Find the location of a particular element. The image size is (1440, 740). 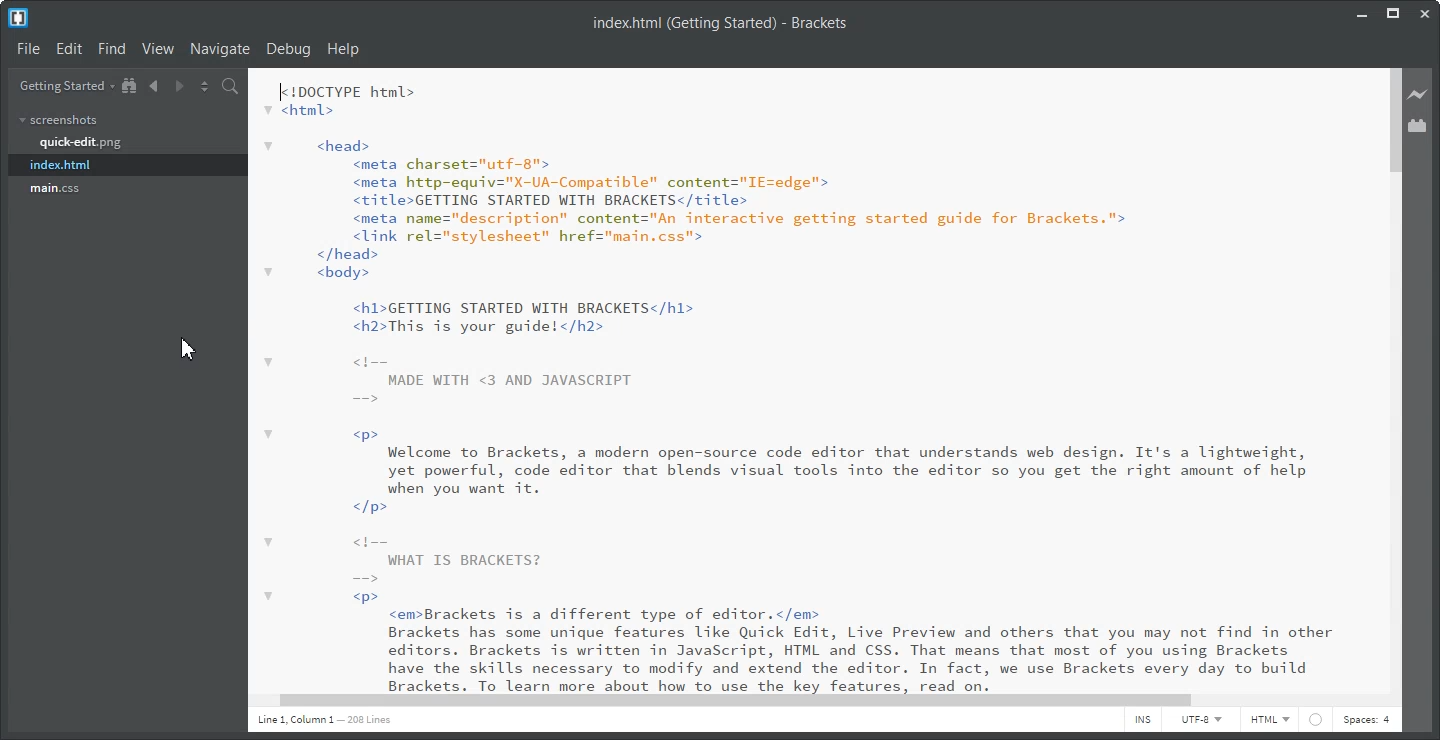

Help is located at coordinates (346, 50).